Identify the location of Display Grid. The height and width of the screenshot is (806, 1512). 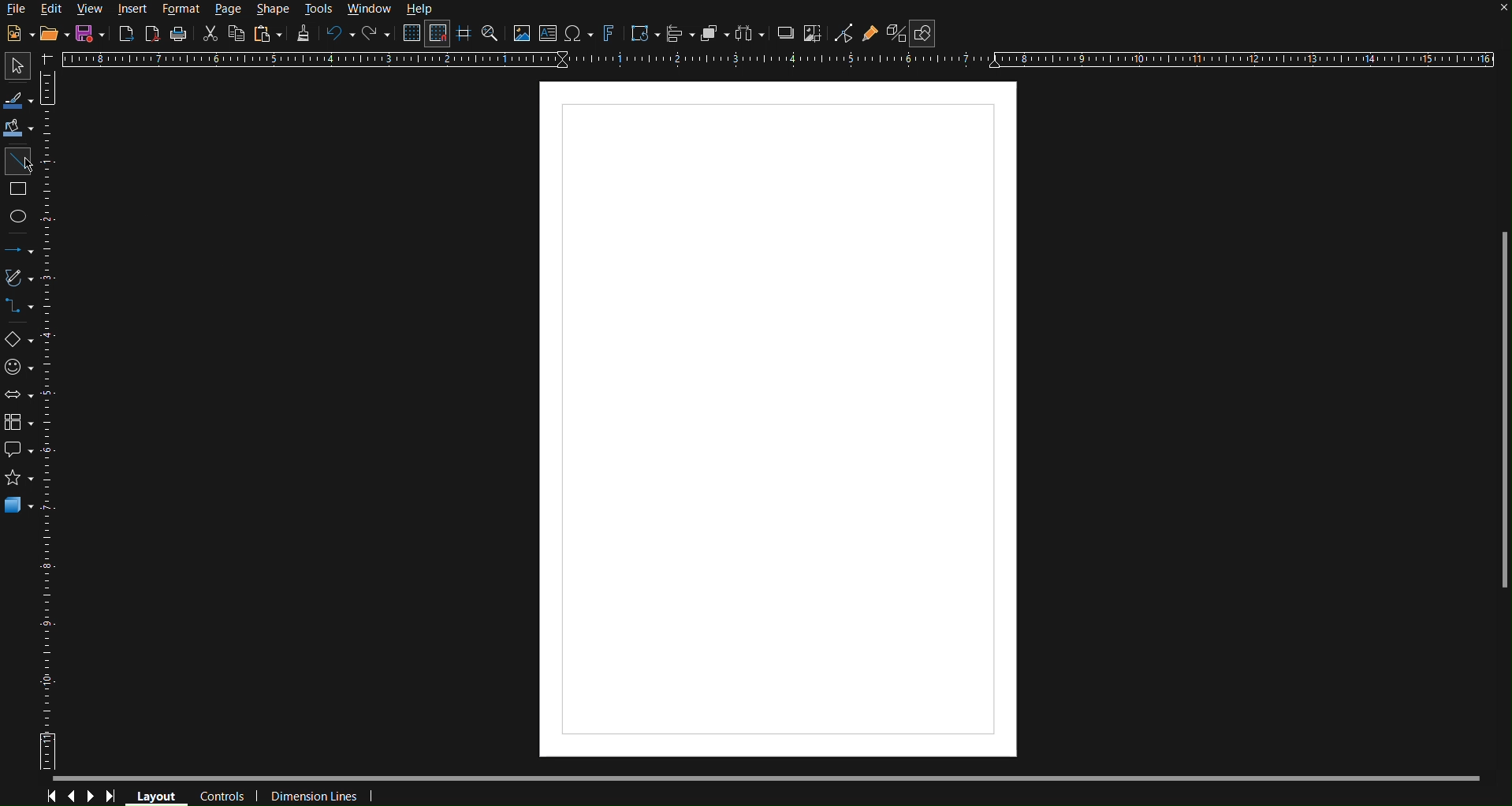
(410, 33).